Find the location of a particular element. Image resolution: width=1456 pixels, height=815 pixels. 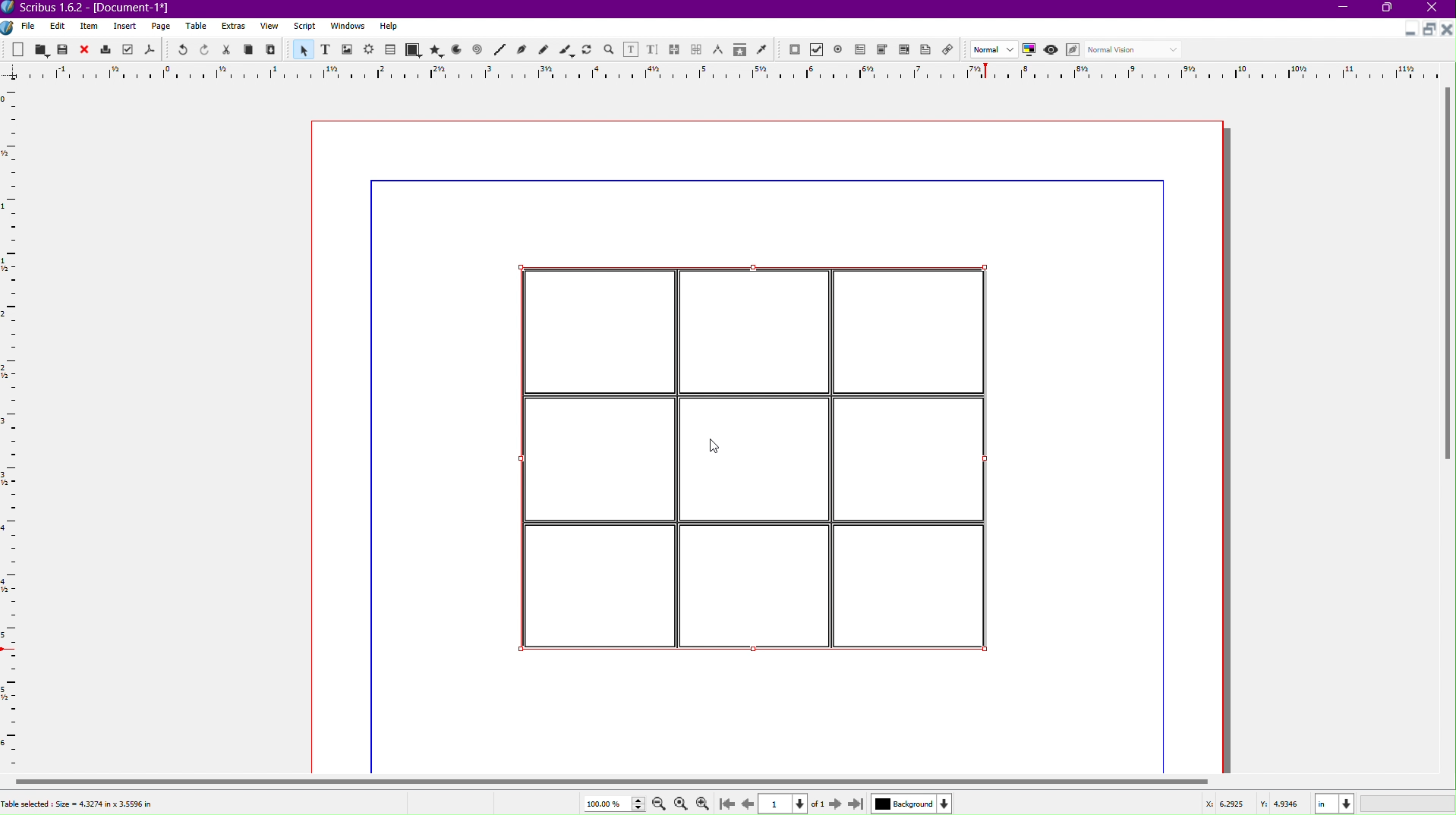

Cut is located at coordinates (227, 49).